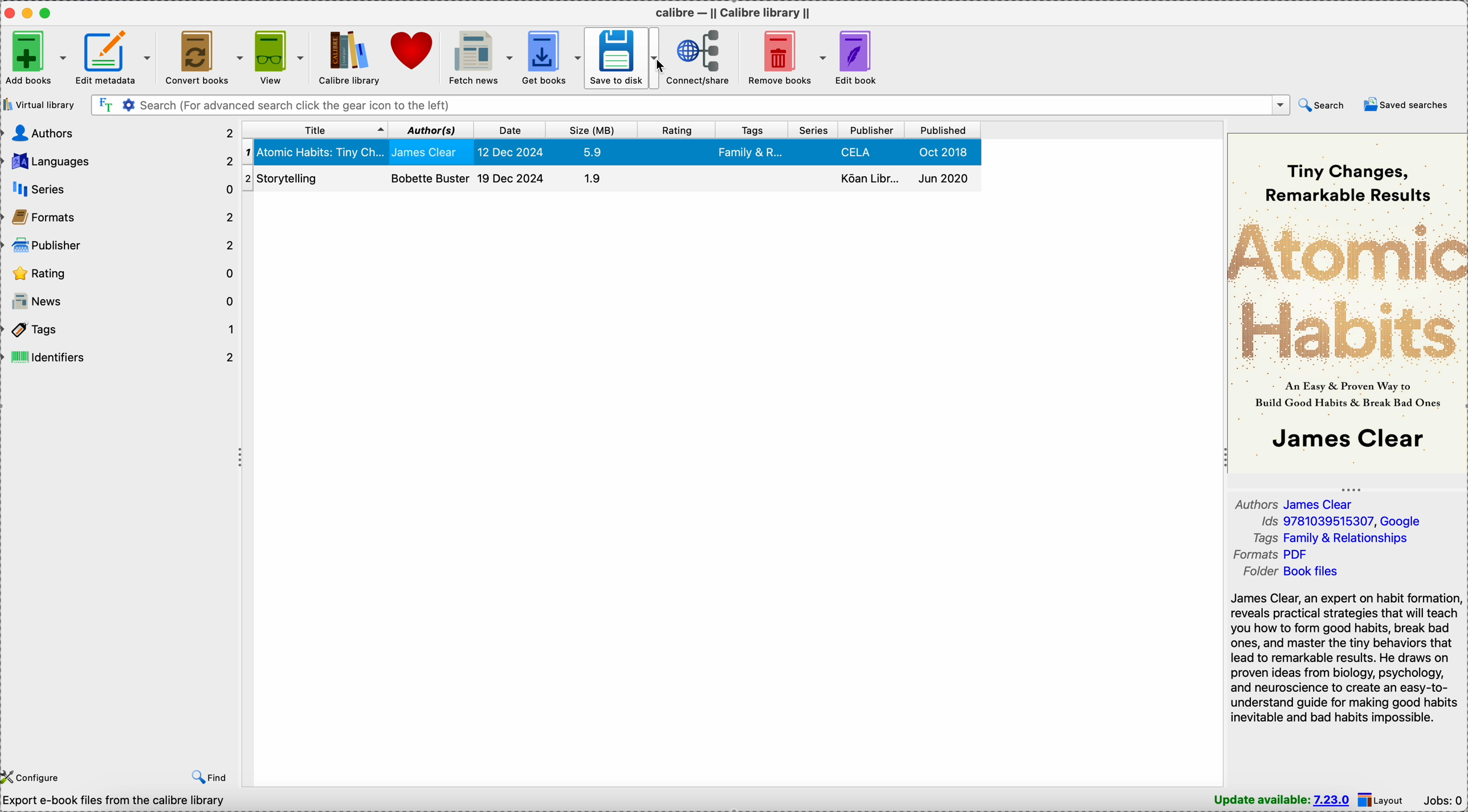 The height and width of the screenshot is (812, 1468). What do you see at coordinates (688, 105) in the screenshot?
I see `search bar` at bounding box center [688, 105].